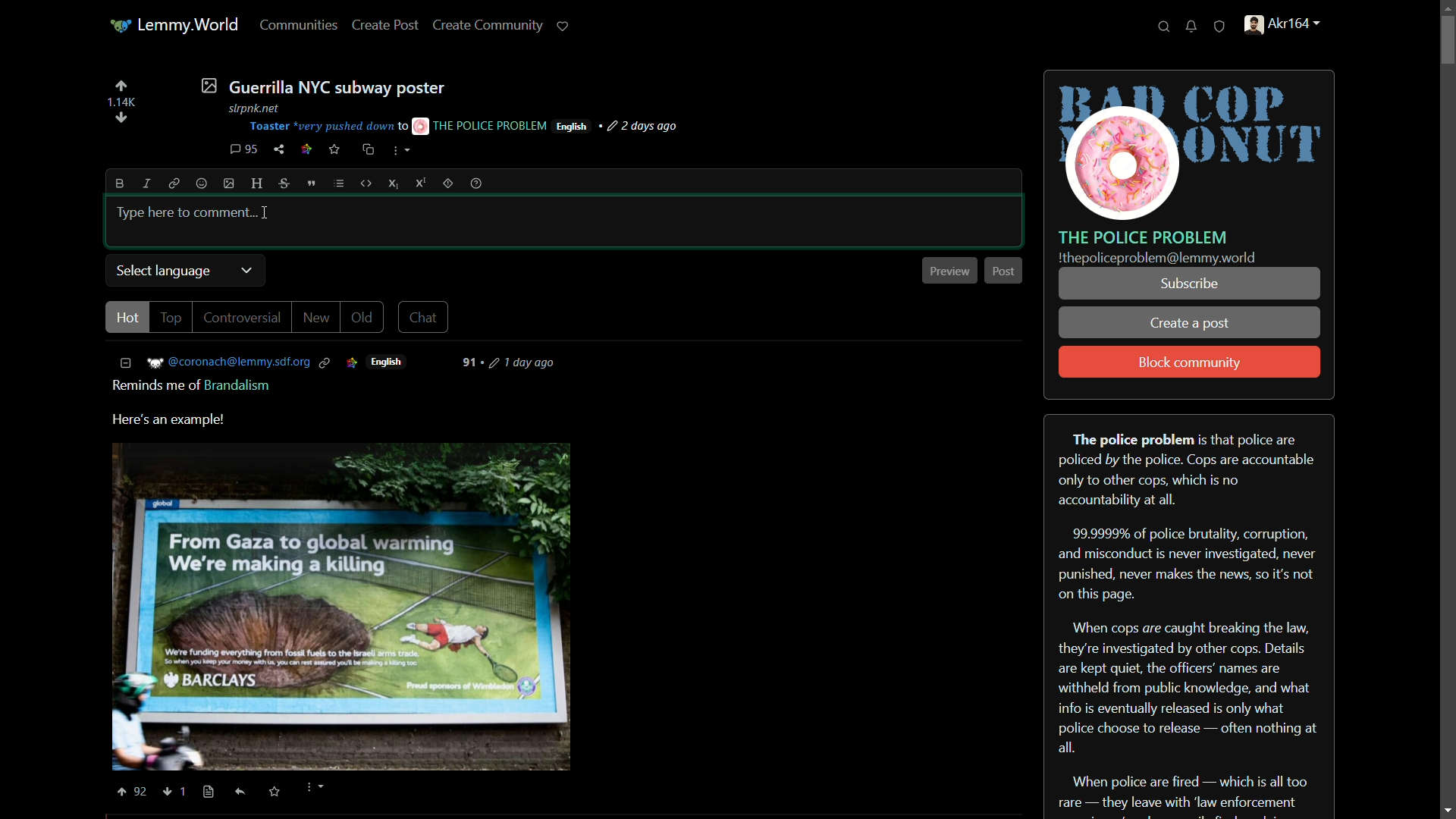 This screenshot has width=1456, height=819. I want to click on Toaster "very pushed down t0, so click(328, 127).